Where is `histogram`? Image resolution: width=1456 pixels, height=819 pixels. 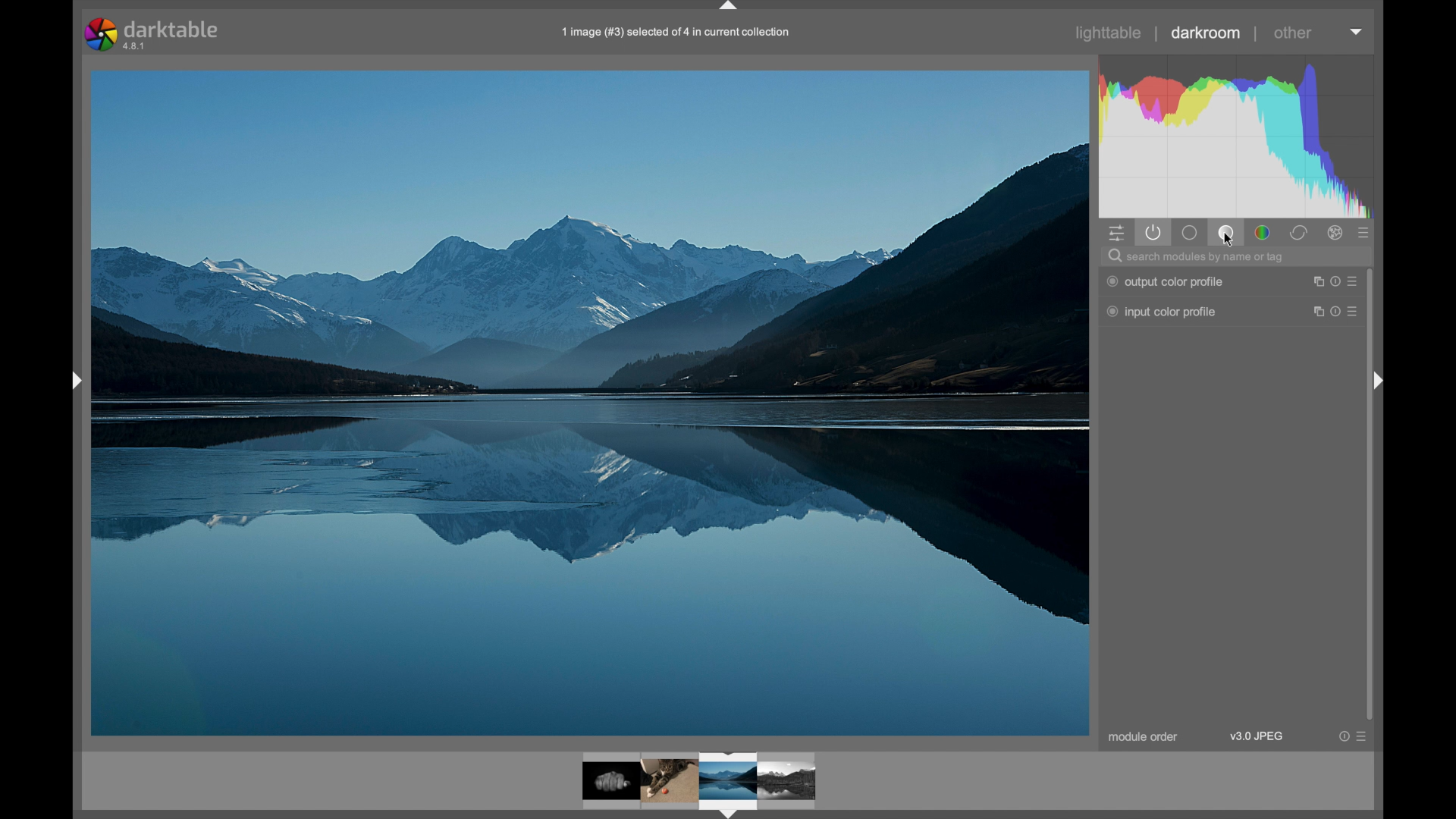
histogram is located at coordinates (1237, 134).